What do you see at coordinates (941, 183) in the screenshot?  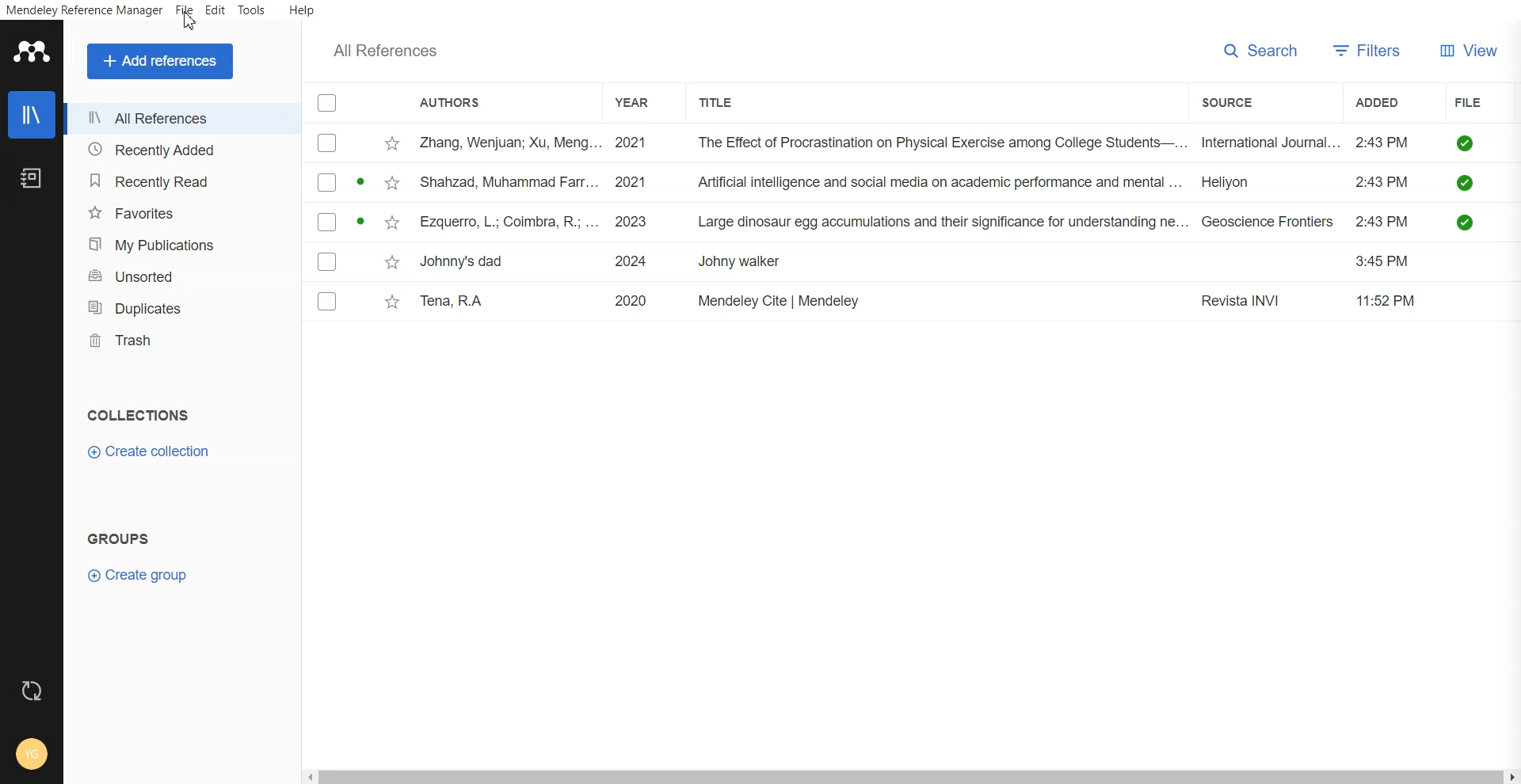 I see `Artificial intelligence and social media on academic performance and mental ...` at bounding box center [941, 183].